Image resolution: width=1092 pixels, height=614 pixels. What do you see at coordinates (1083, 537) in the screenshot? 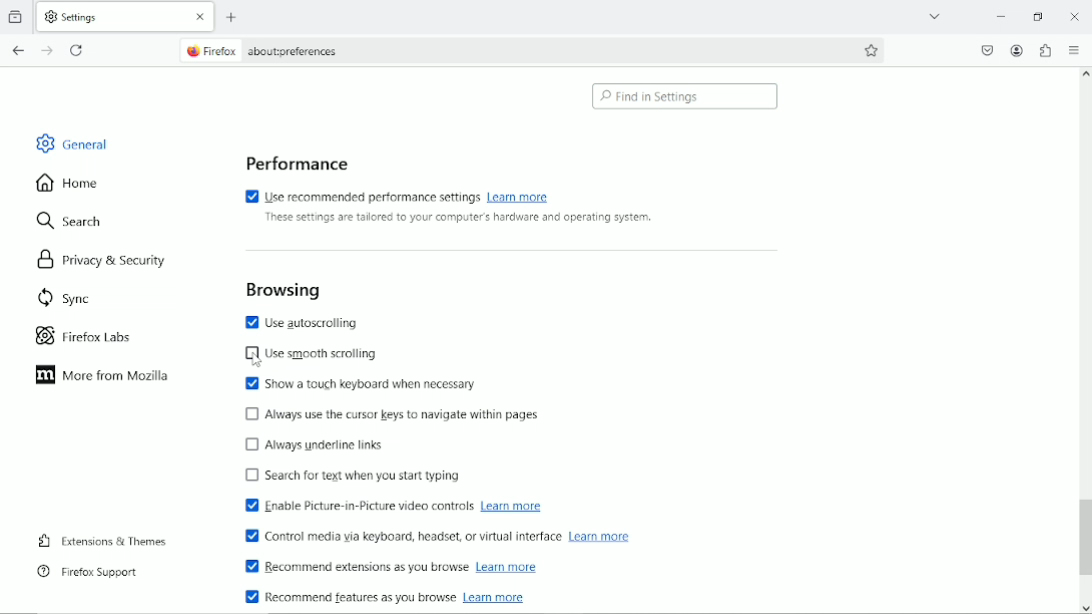
I see `Vertical scrollbar` at bounding box center [1083, 537].